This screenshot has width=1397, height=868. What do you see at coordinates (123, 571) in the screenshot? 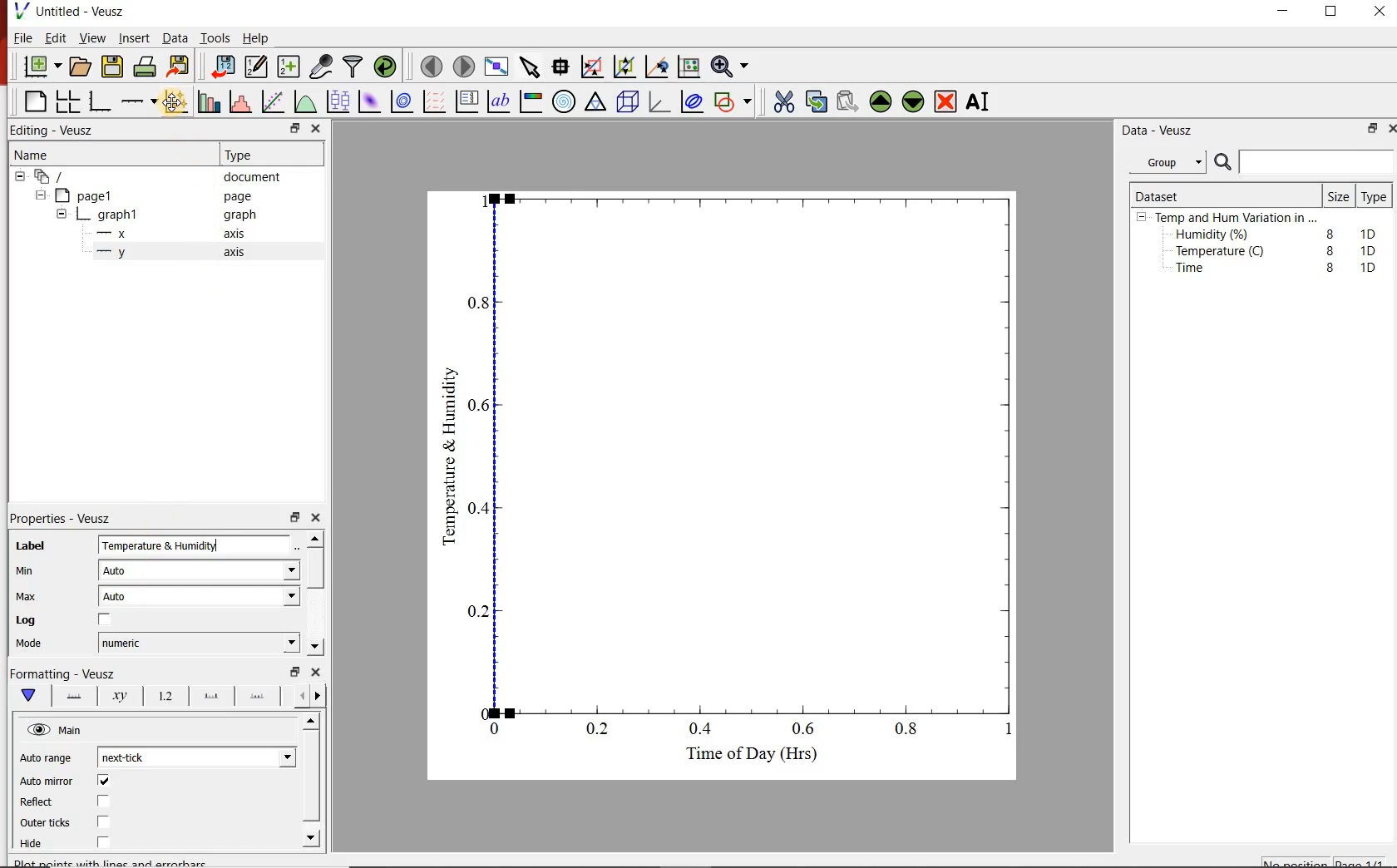
I see `Auto` at bounding box center [123, 571].